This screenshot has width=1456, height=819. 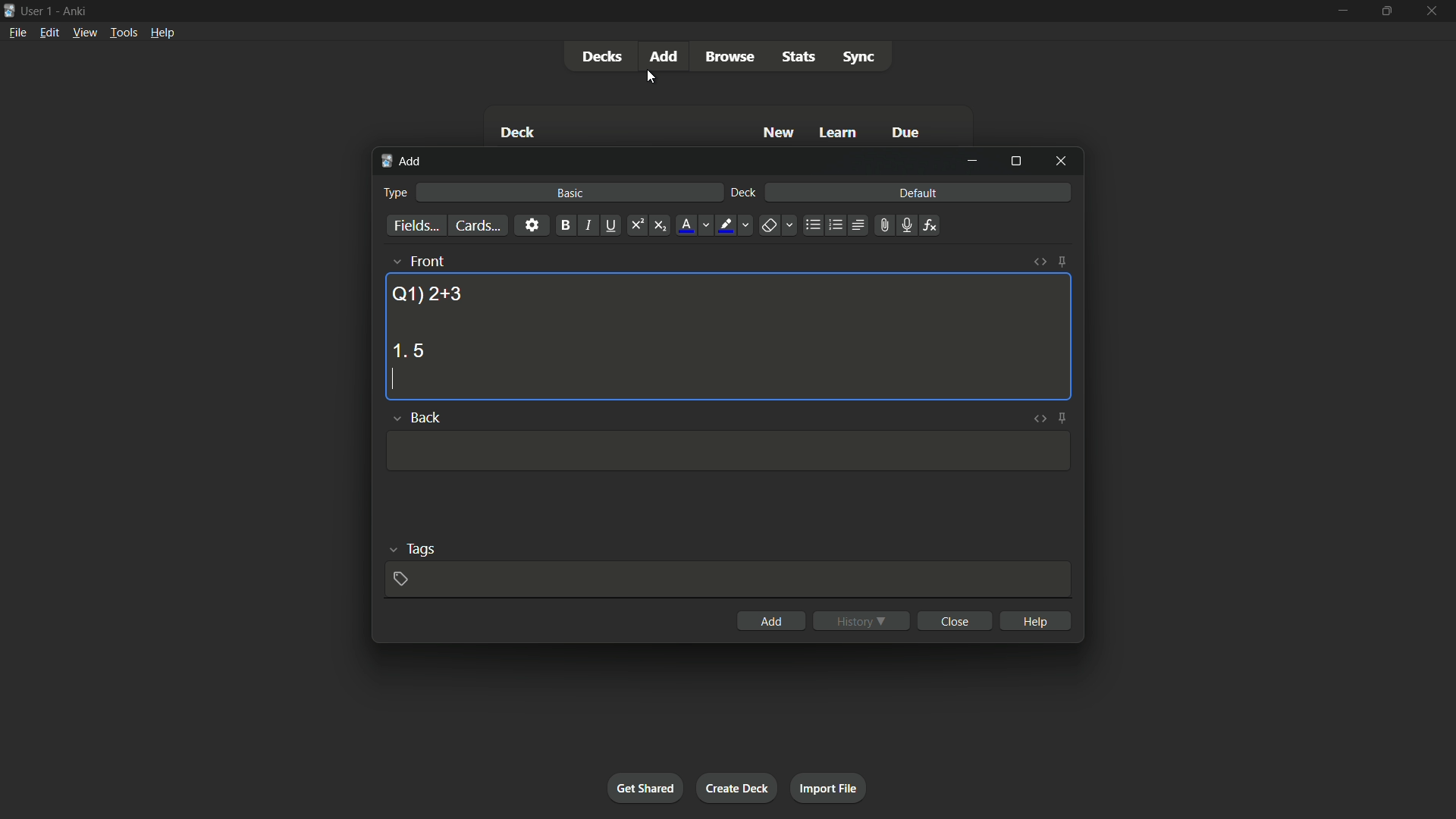 I want to click on get shared, so click(x=645, y=787).